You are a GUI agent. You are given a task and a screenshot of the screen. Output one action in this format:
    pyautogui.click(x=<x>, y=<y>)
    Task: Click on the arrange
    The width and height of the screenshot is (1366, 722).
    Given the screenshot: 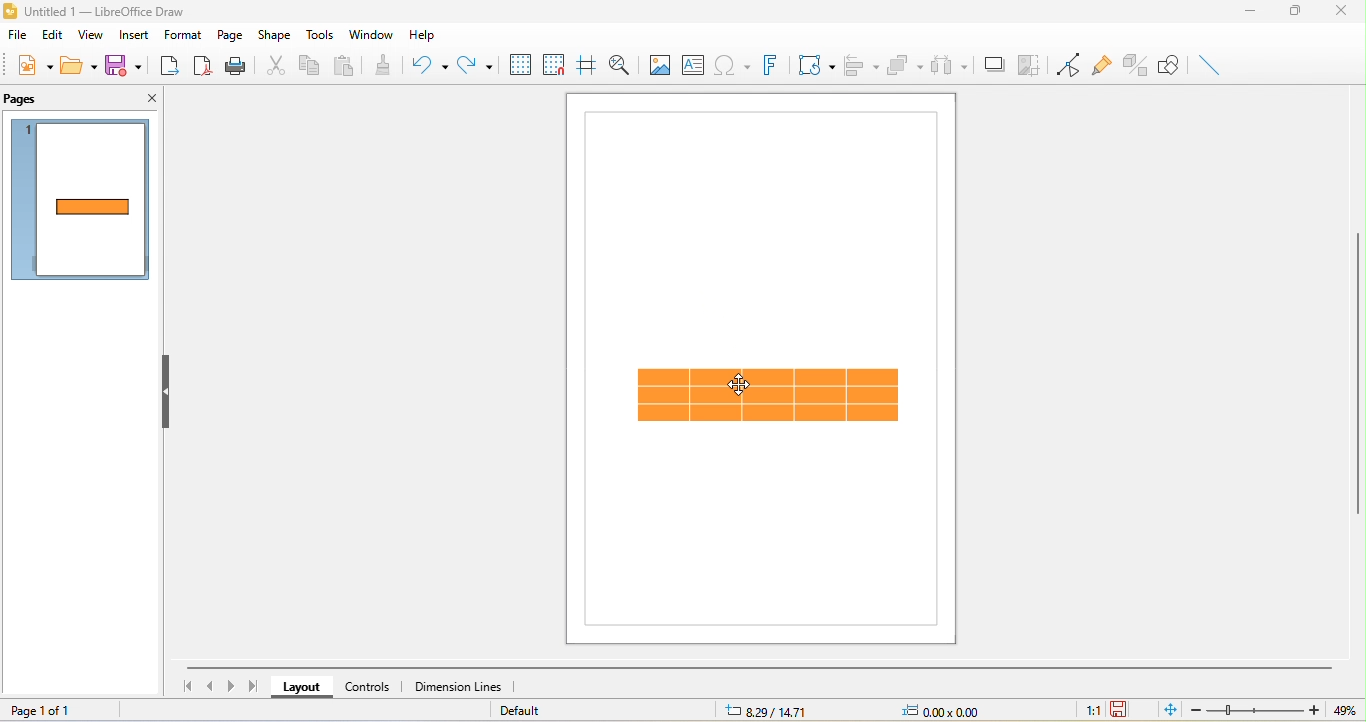 What is the action you would take?
    pyautogui.click(x=905, y=64)
    